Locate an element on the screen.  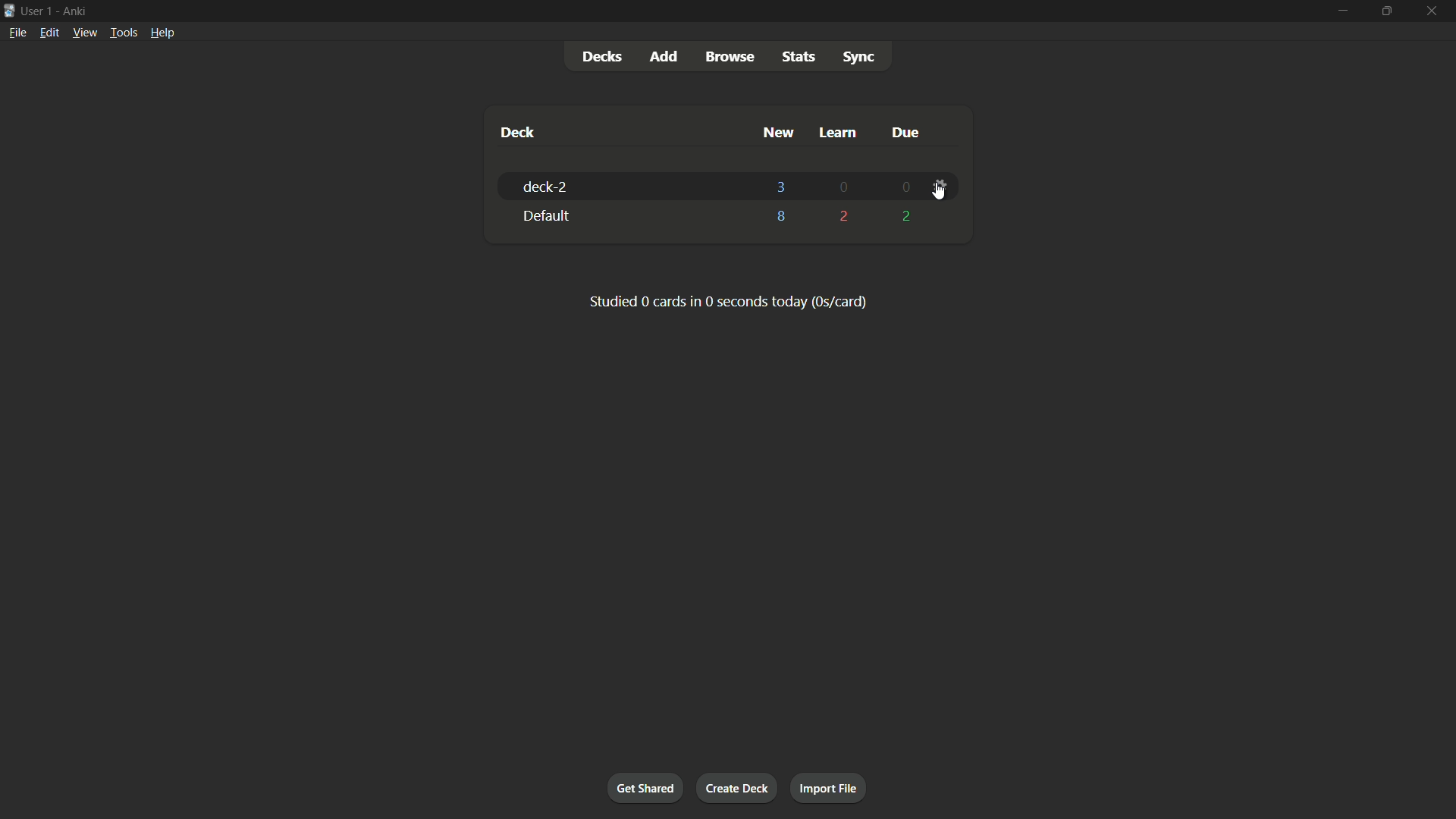
stats is located at coordinates (797, 58).